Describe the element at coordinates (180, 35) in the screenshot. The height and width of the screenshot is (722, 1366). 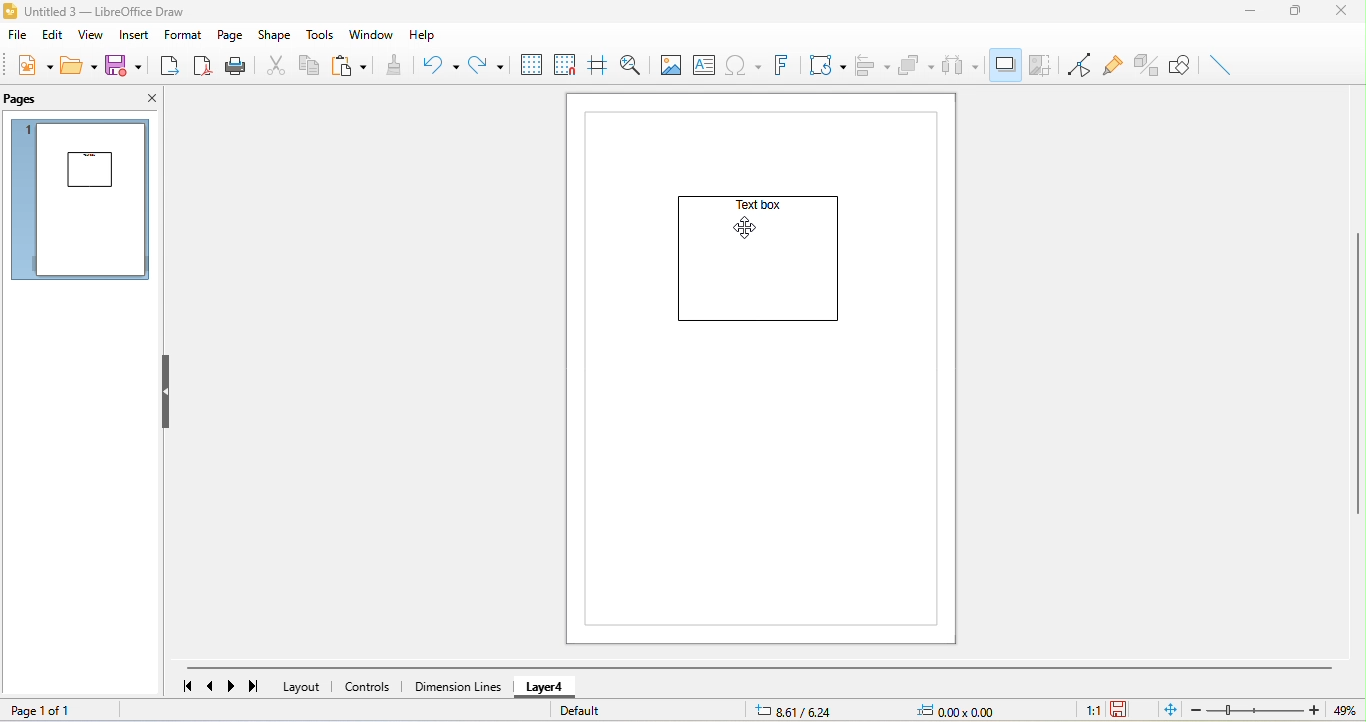
I see `format` at that location.